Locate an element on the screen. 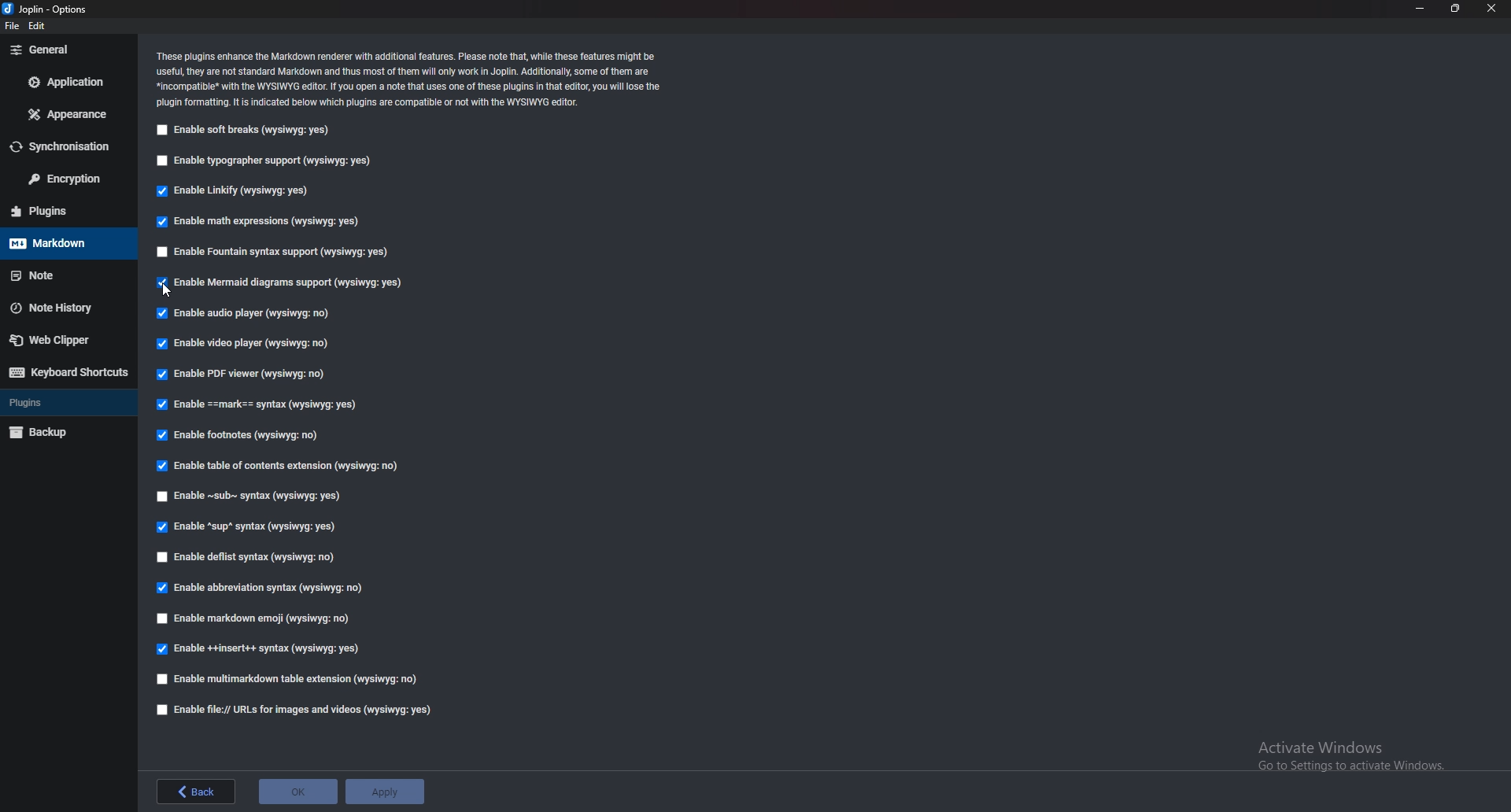  enable mermaid diagrams is located at coordinates (282, 283).